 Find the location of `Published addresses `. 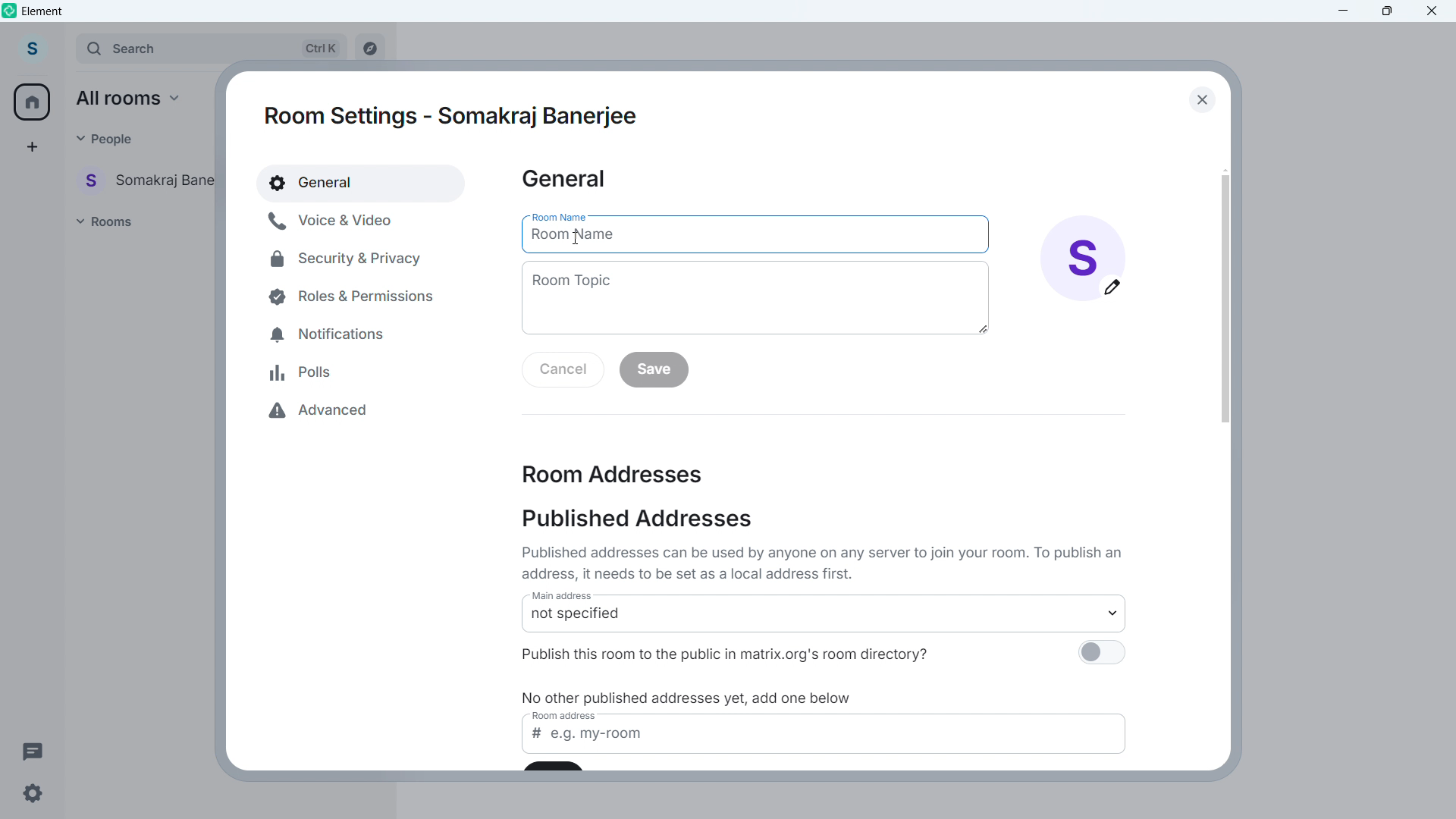

Published addresses  is located at coordinates (636, 519).